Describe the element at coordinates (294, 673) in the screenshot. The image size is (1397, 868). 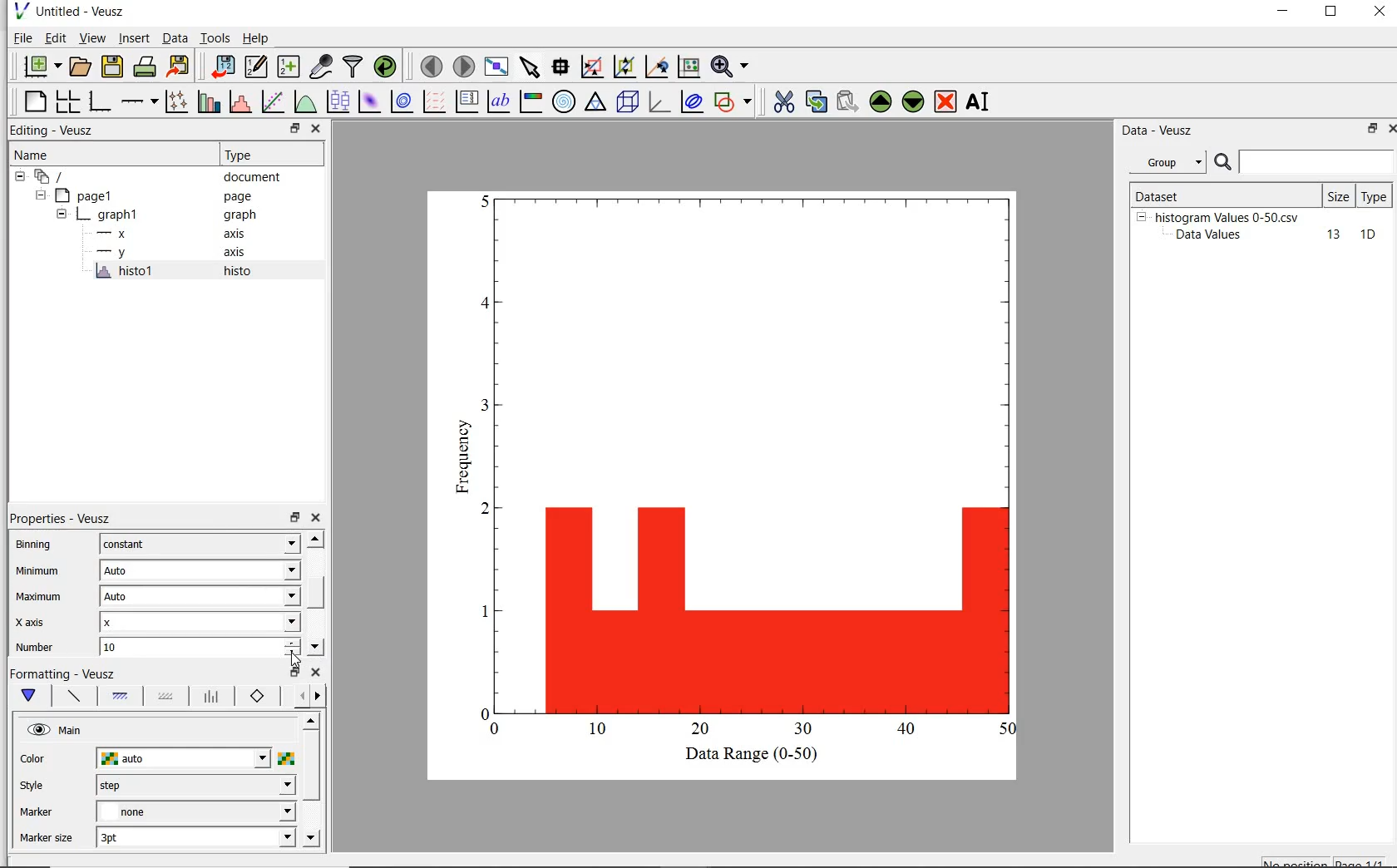
I see `restore down` at that location.